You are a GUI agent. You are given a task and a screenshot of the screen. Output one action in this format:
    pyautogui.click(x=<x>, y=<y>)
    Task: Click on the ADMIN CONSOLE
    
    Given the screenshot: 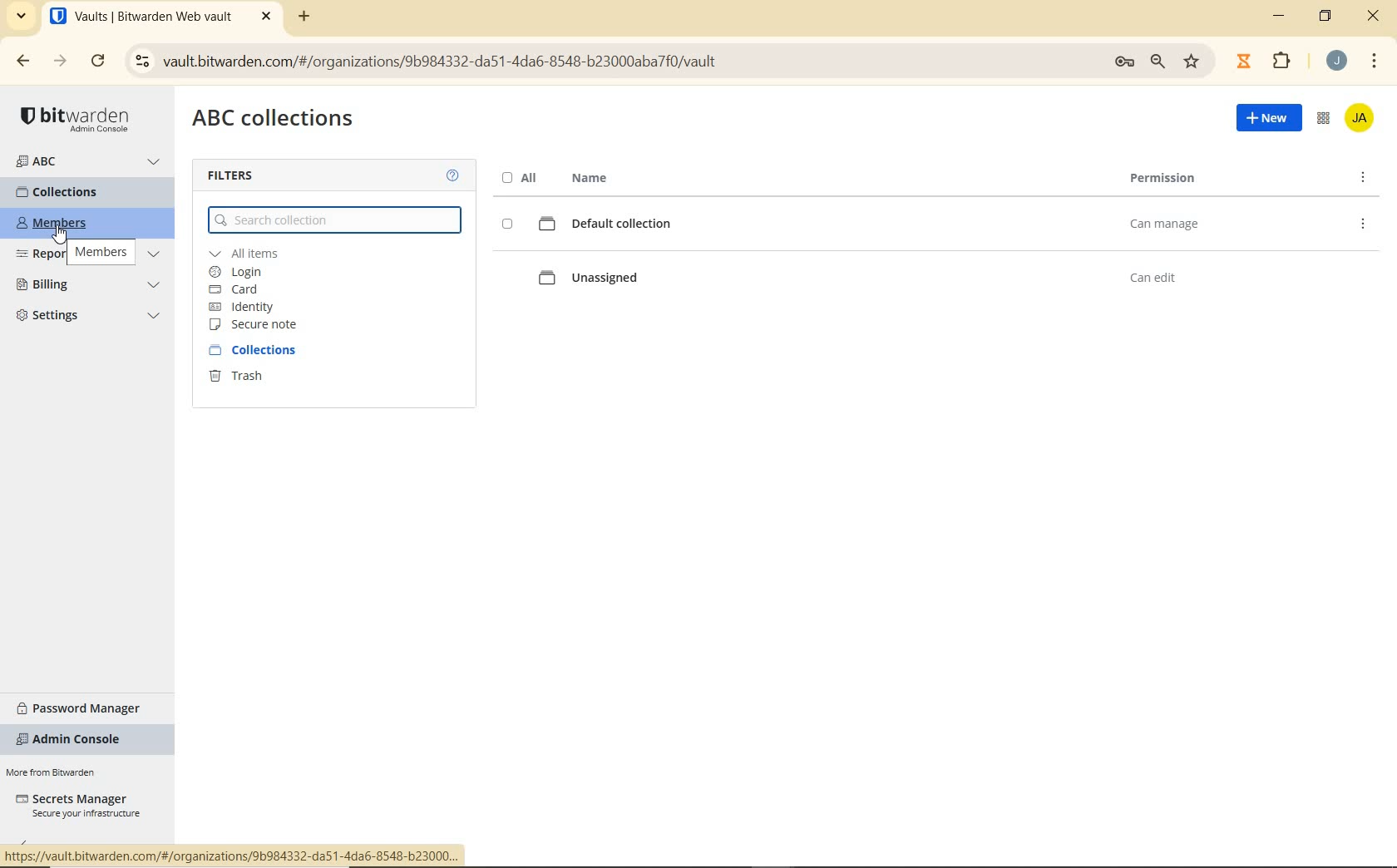 What is the action you would take?
    pyautogui.click(x=1323, y=121)
    